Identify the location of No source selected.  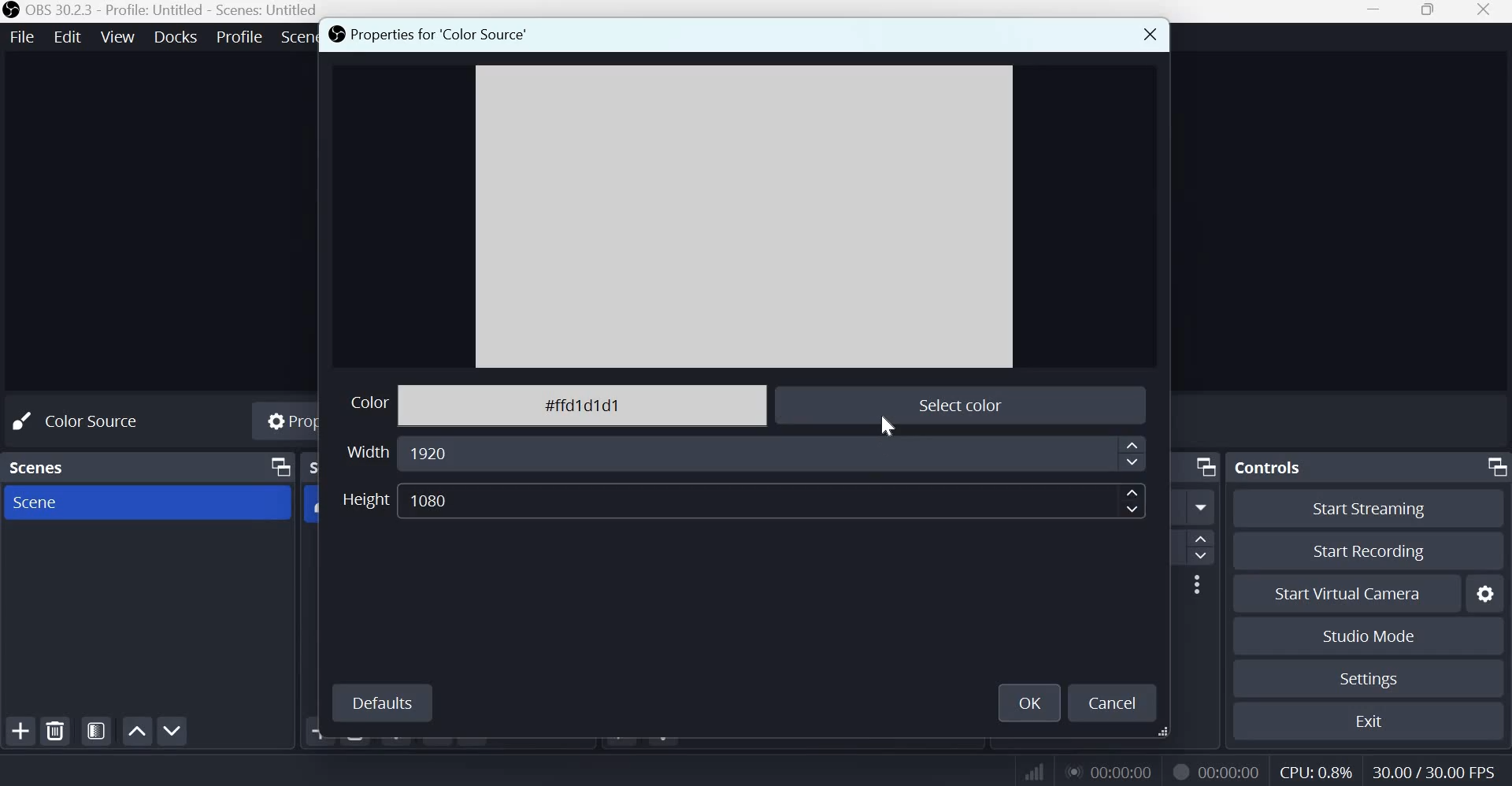
(92, 420).